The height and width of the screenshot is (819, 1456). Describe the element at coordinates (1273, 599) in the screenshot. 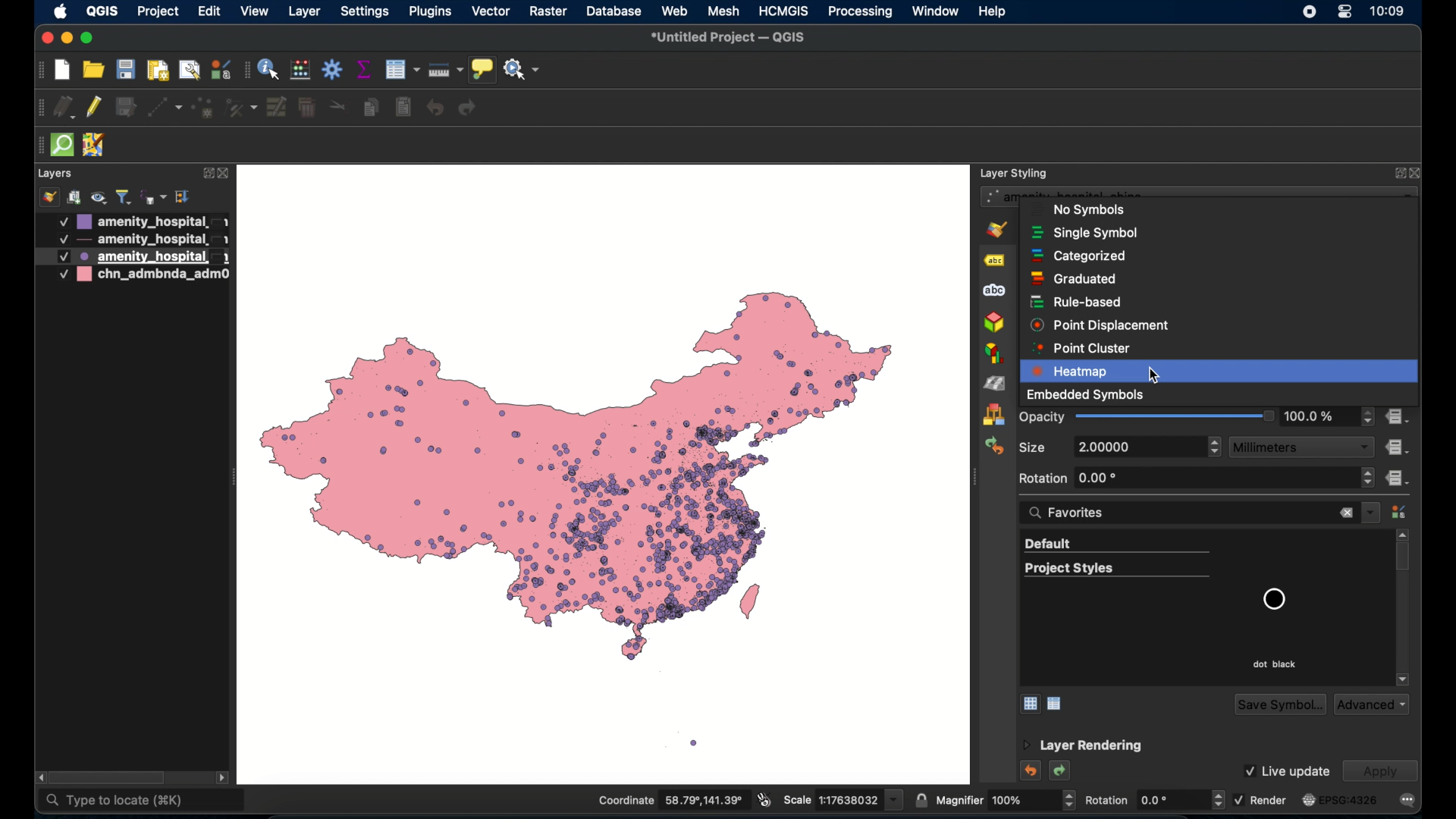

I see `dot black preview` at that location.